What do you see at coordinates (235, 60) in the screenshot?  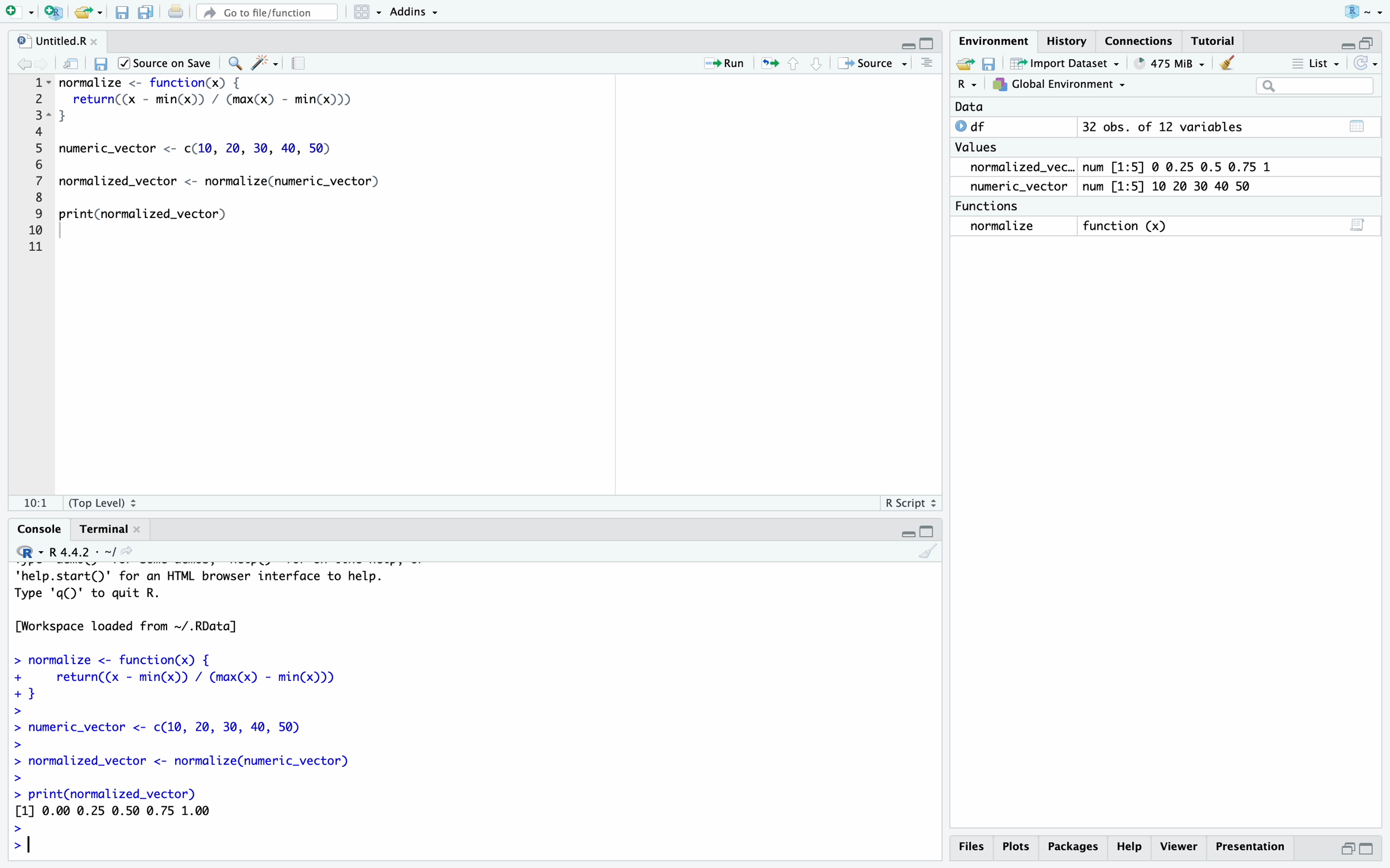 I see `Find/Replace` at bounding box center [235, 60].